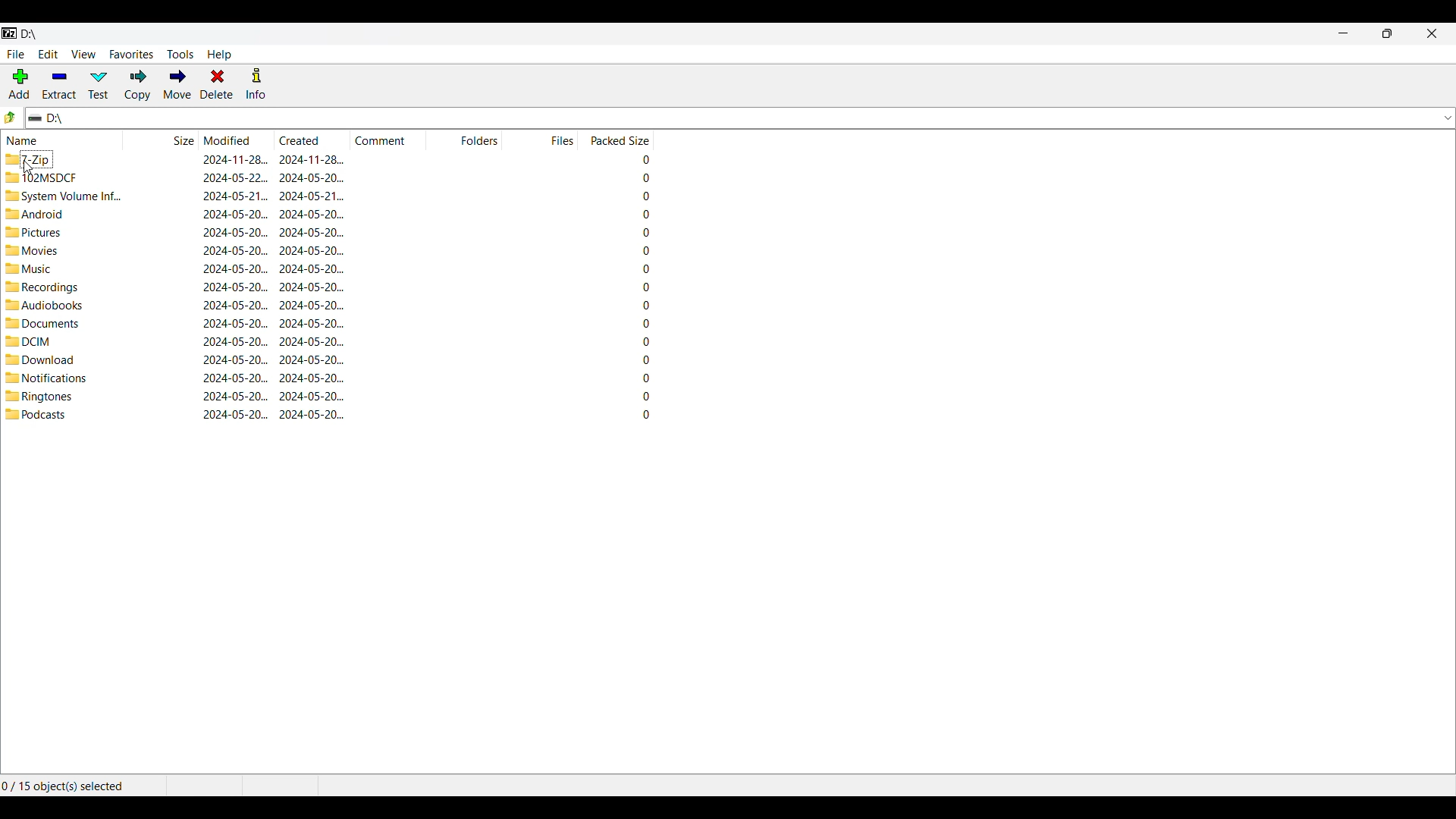 This screenshot has width=1456, height=819. Describe the element at coordinates (217, 83) in the screenshot. I see `Delete` at that location.